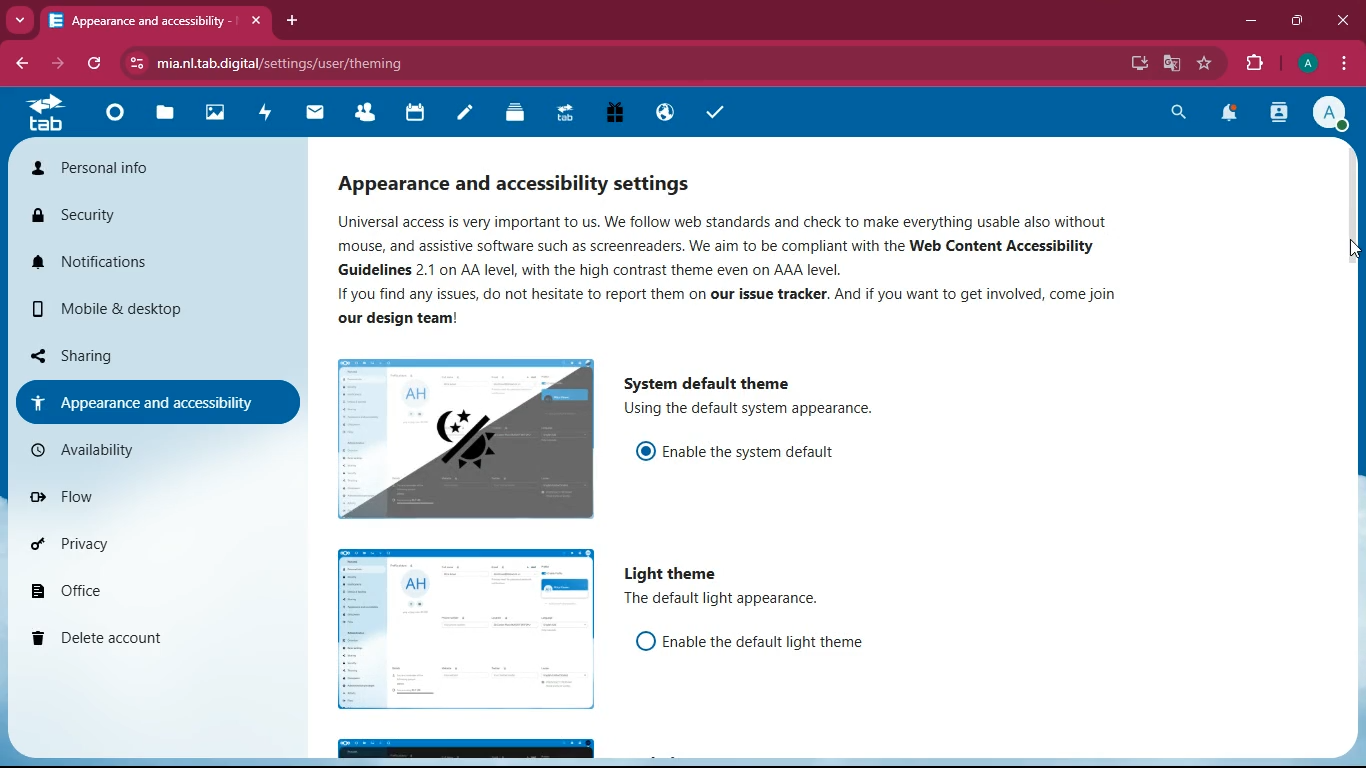  Describe the element at coordinates (730, 600) in the screenshot. I see `description` at that location.